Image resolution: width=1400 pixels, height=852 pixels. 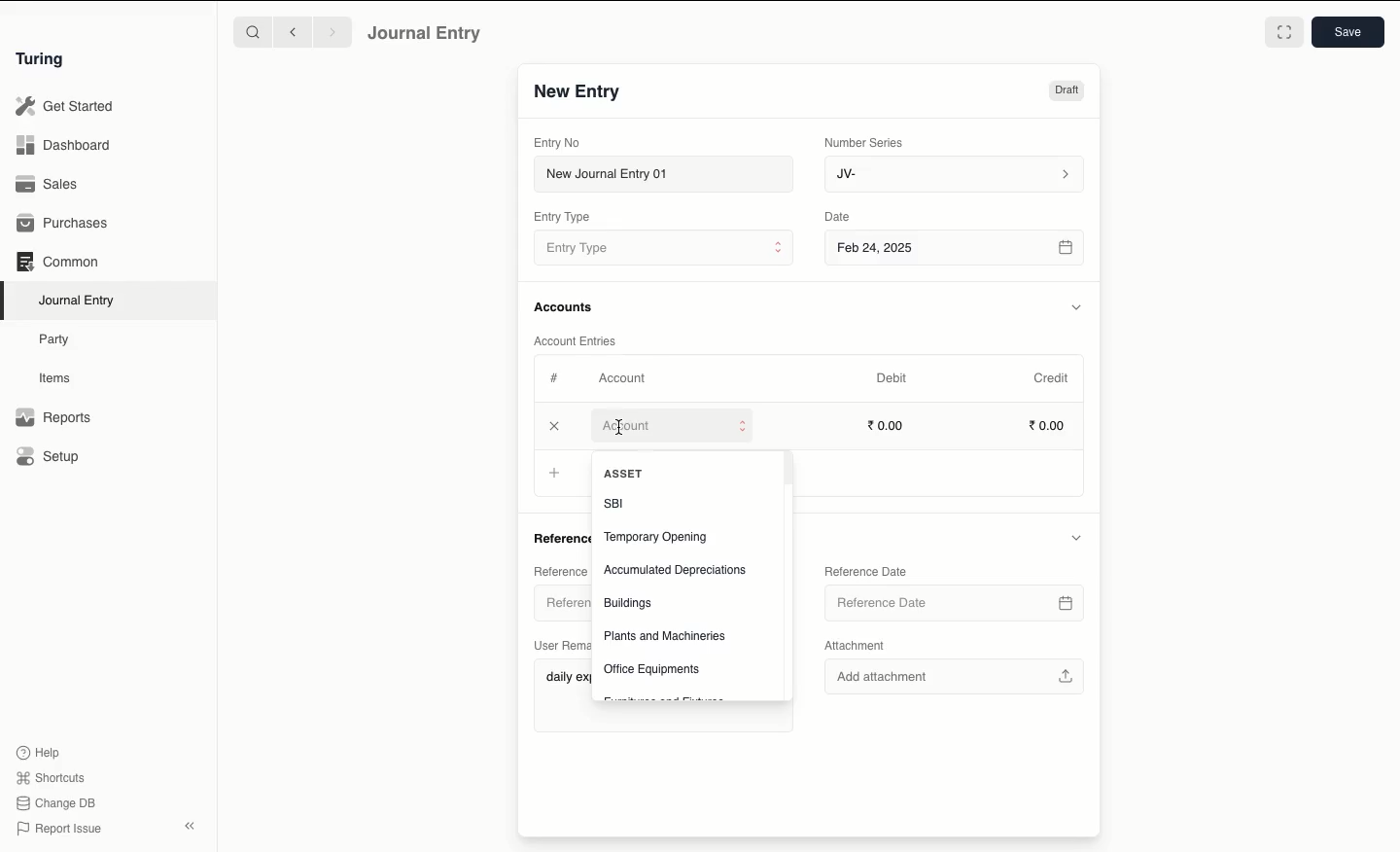 I want to click on Reference Date, so click(x=957, y=598).